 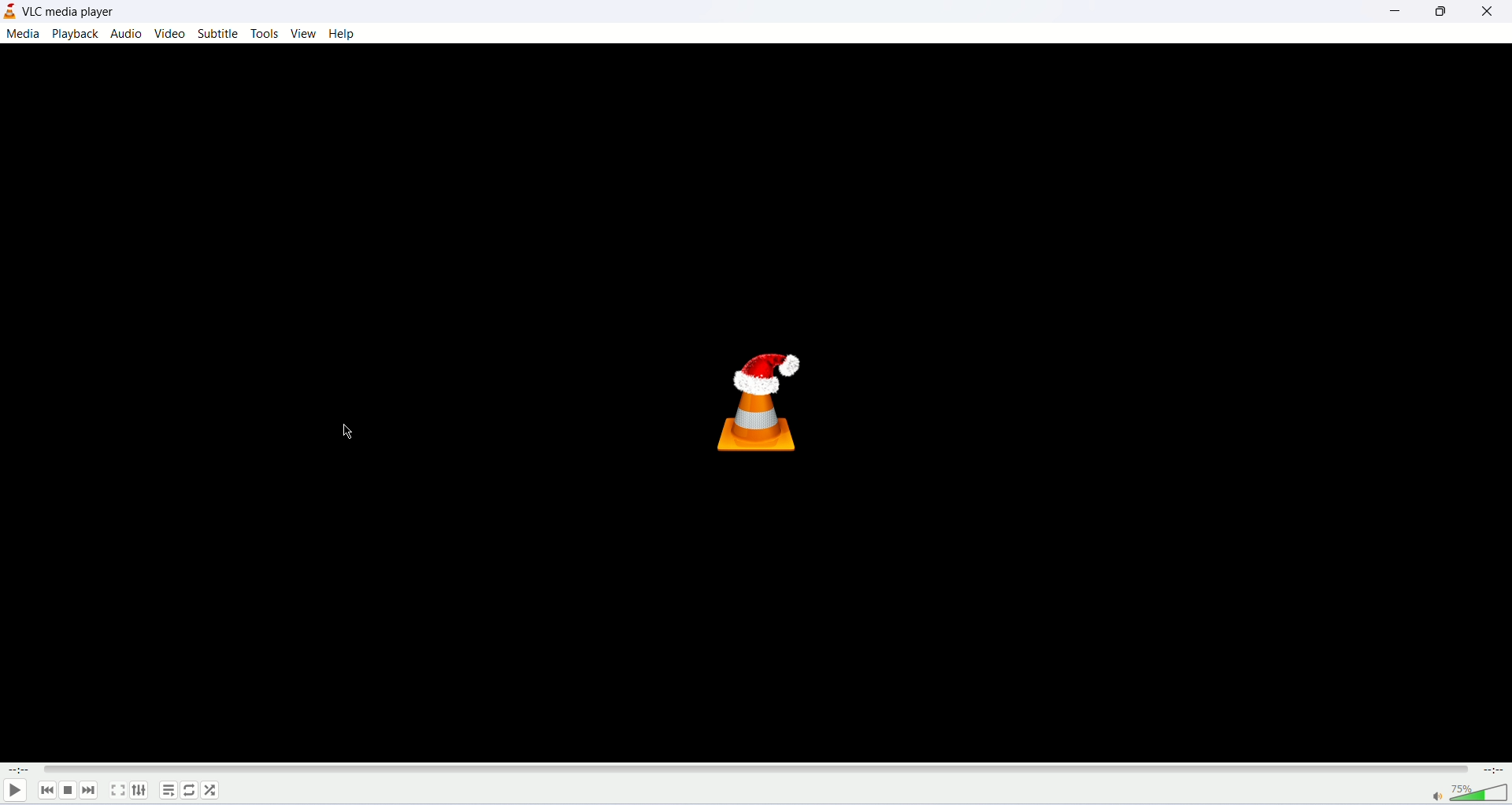 What do you see at coordinates (167, 790) in the screenshot?
I see `playlist` at bounding box center [167, 790].